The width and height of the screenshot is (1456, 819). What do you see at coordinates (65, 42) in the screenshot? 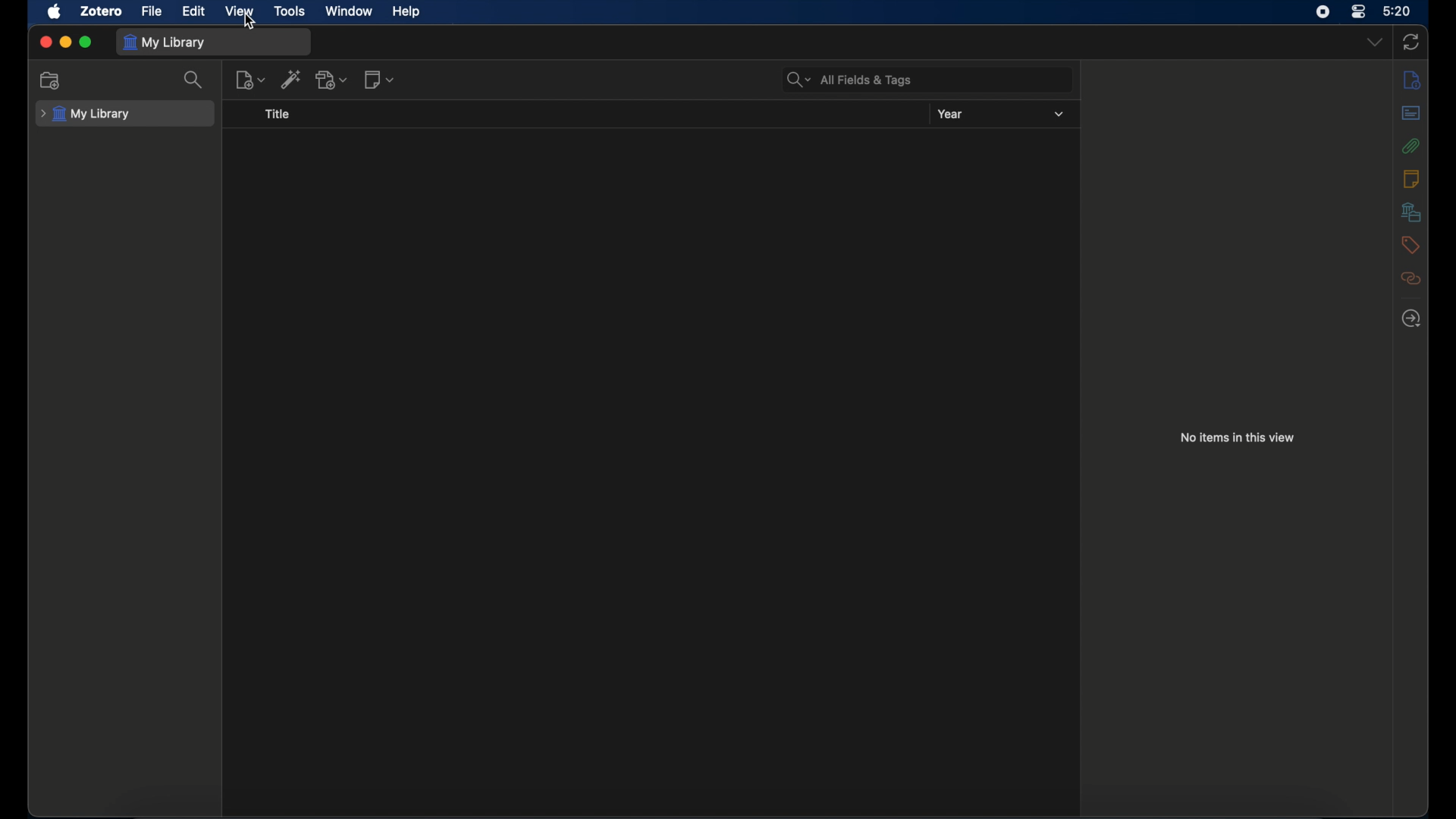
I see `minimize` at bounding box center [65, 42].